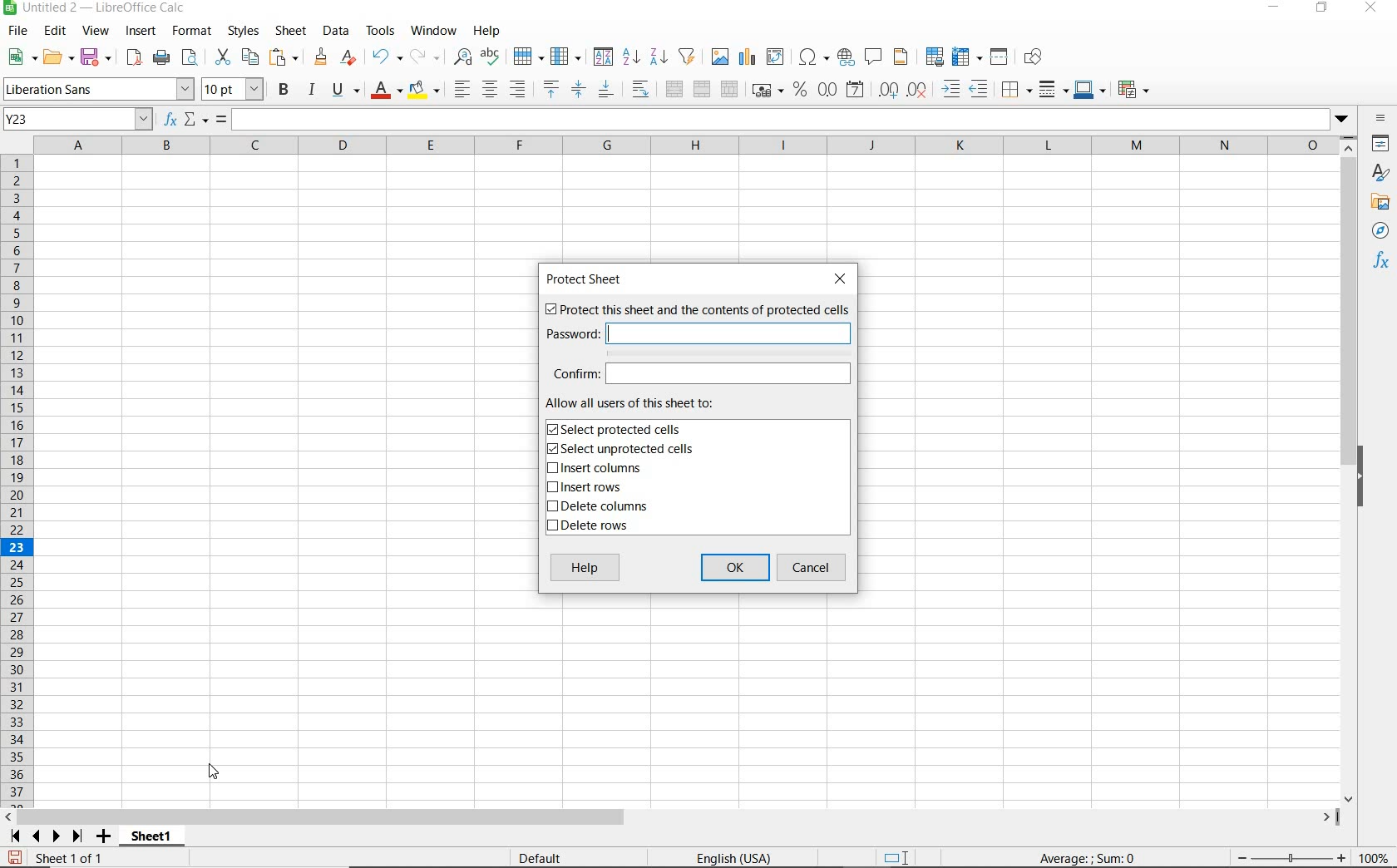  Describe the element at coordinates (96, 31) in the screenshot. I see `VIEW` at that location.